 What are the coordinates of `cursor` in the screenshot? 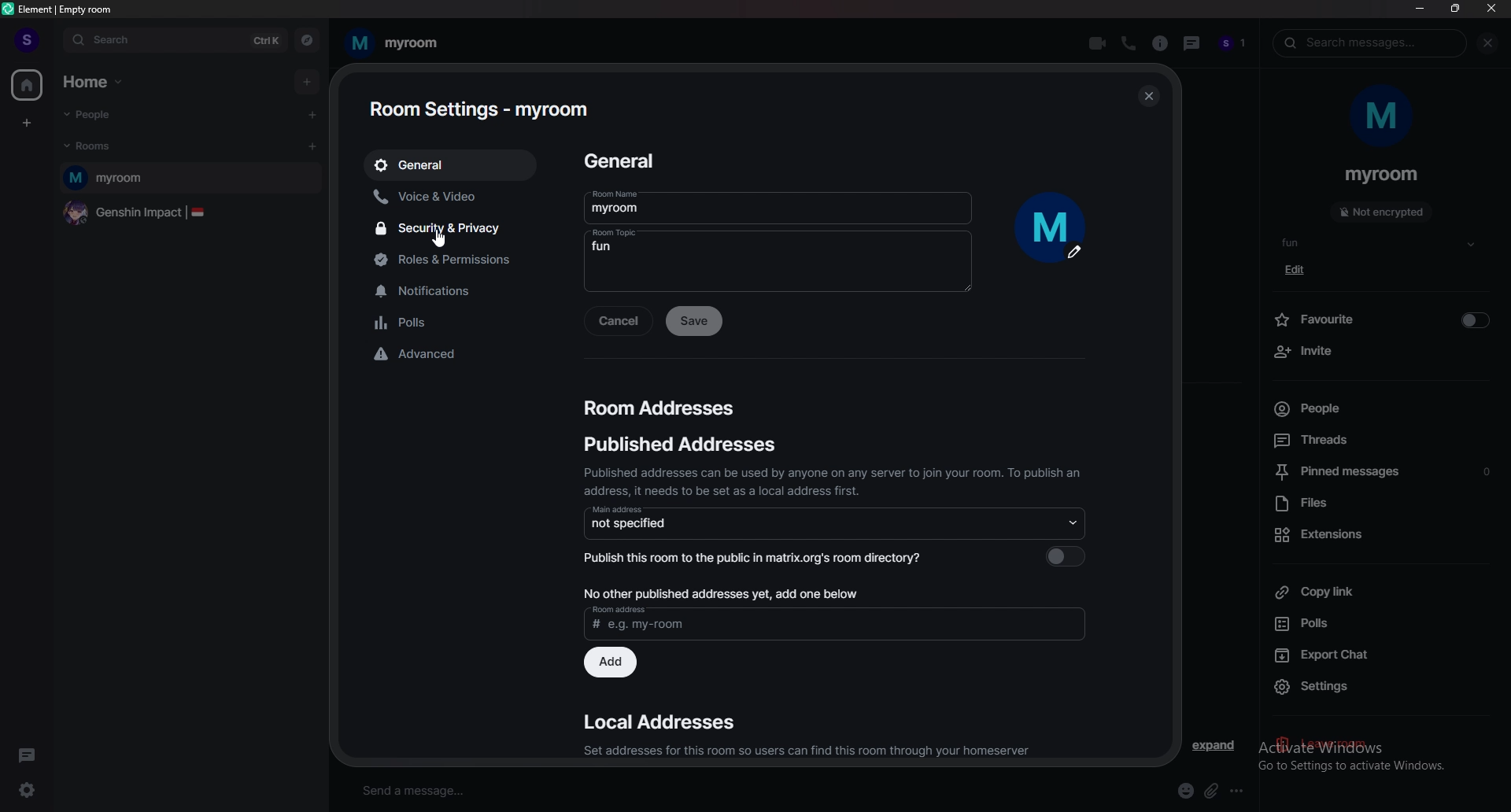 It's located at (441, 240).